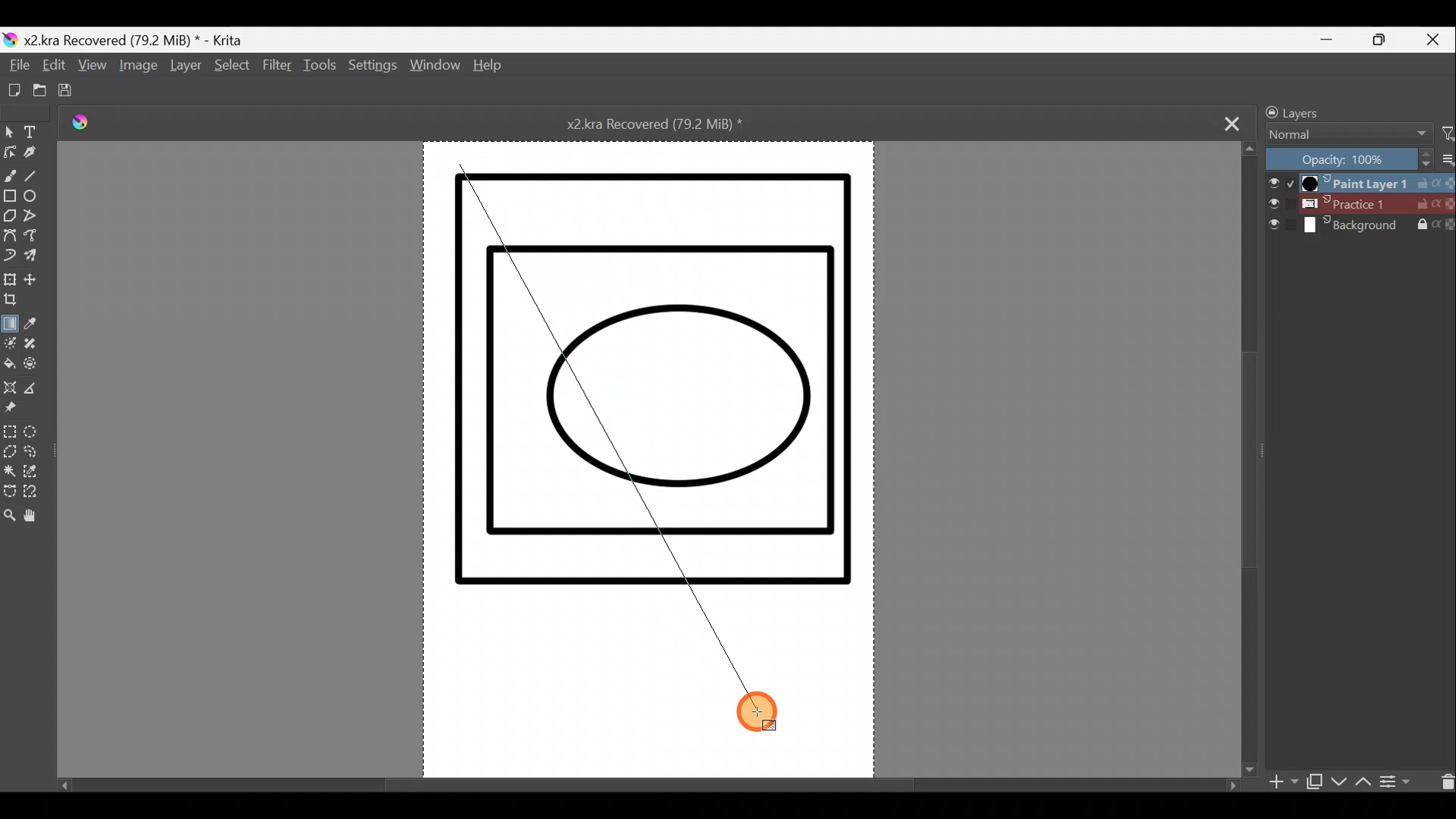 The width and height of the screenshot is (1456, 819). Describe the element at coordinates (38, 454) in the screenshot. I see `Freehand selection tool` at that location.